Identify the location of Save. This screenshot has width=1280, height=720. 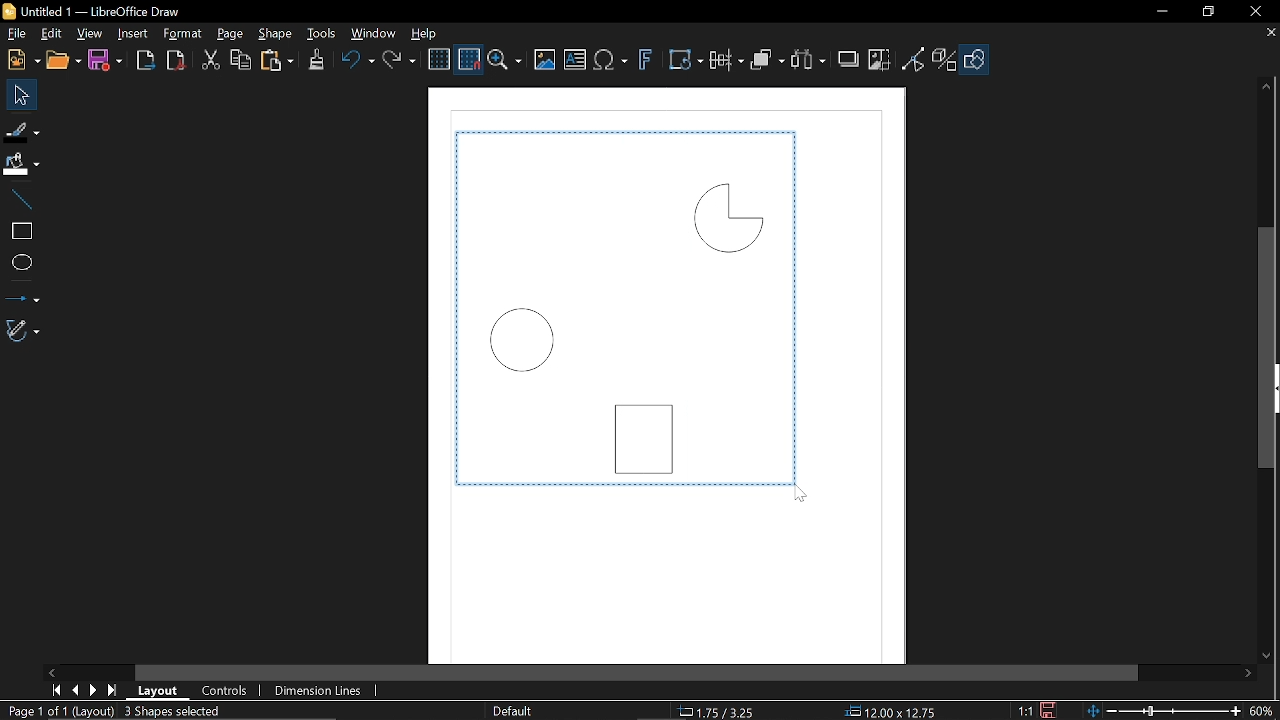
(1045, 710).